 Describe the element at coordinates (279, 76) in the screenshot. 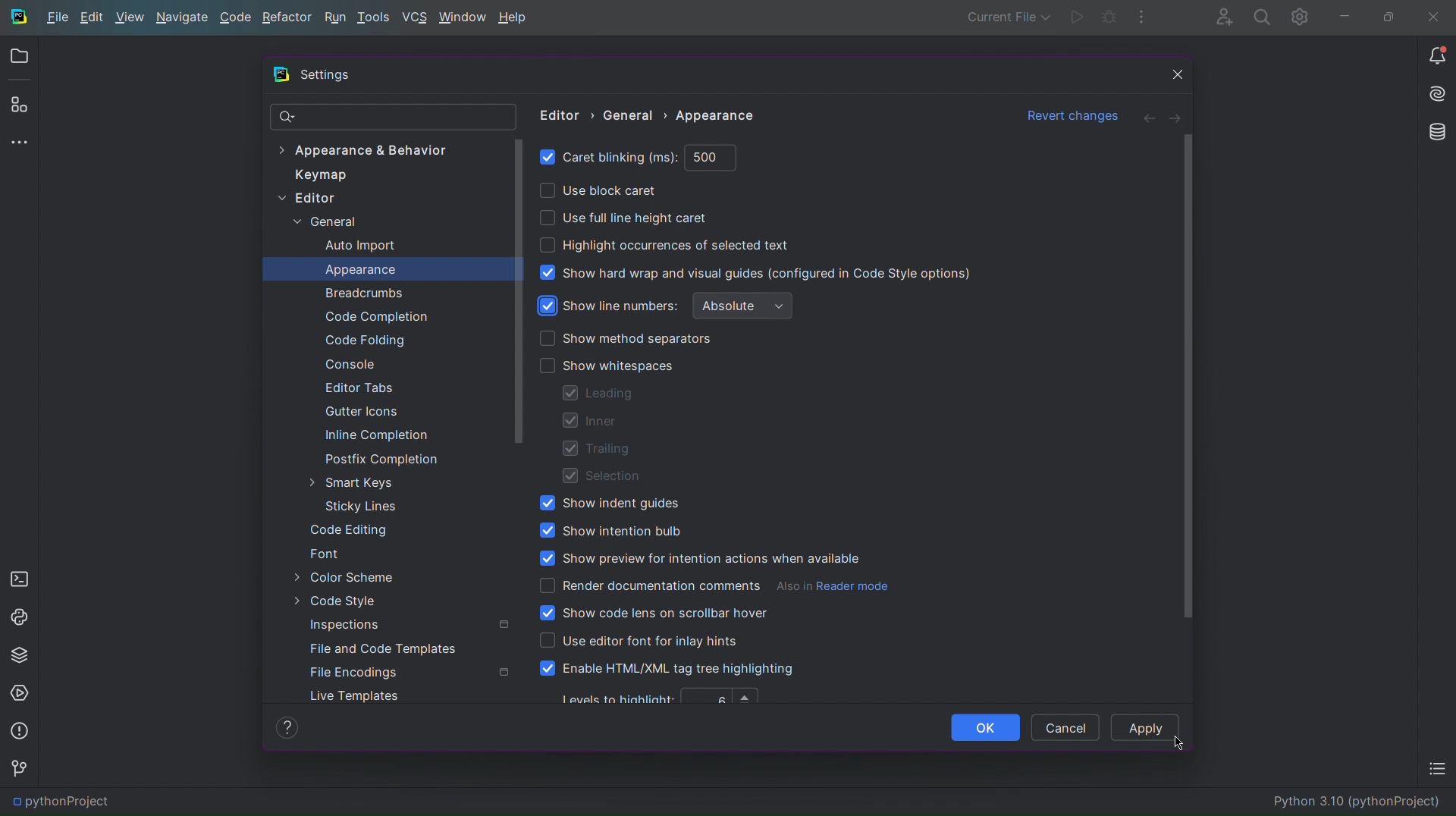

I see `Logo` at that location.